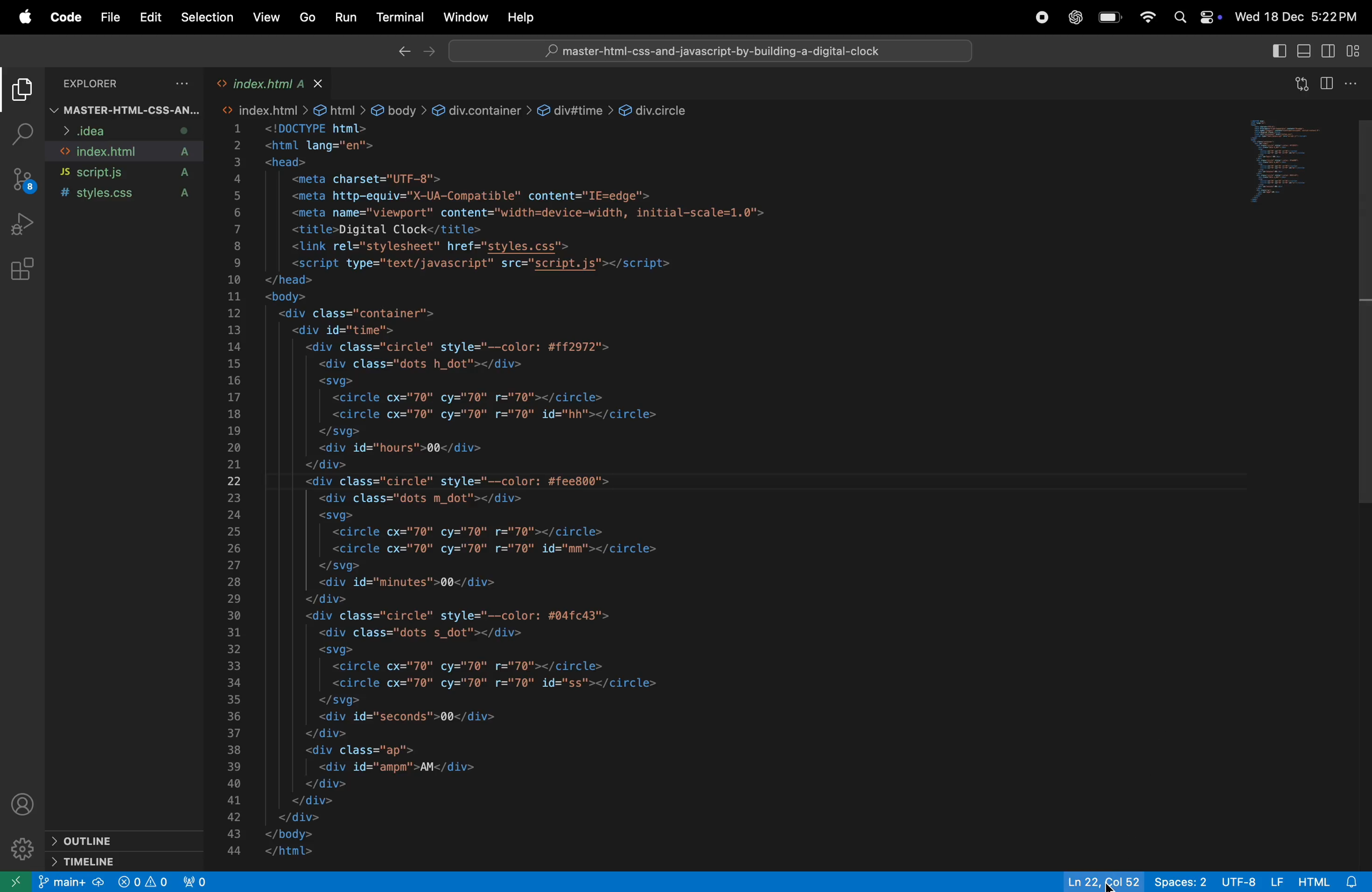 The image size is (1372, 892). What do you see at coordinates (715, 50) in the screenshot?
I see `search bar` at bounding box center [715, 50].